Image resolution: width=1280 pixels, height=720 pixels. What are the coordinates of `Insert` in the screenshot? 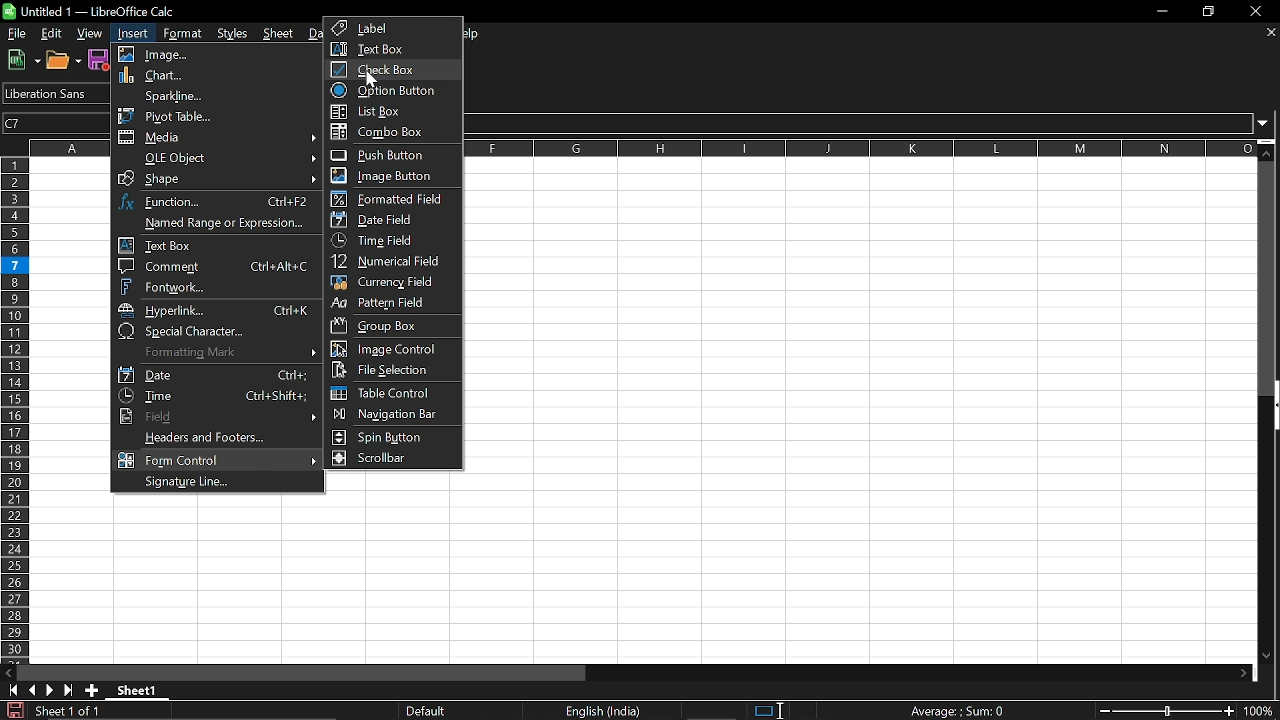 It's located at (130, 34).